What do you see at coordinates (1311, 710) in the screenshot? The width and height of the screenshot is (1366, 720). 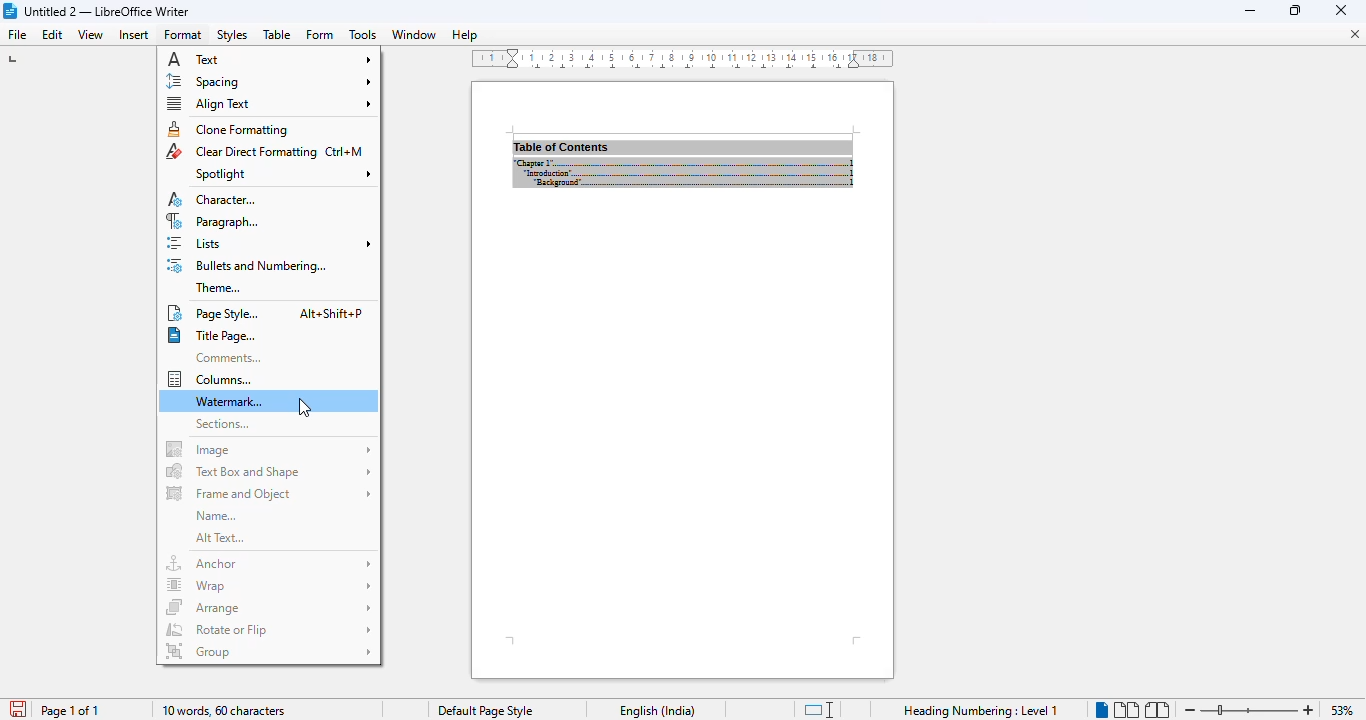 I see `zoom in` at bounding box center [1311, 710].